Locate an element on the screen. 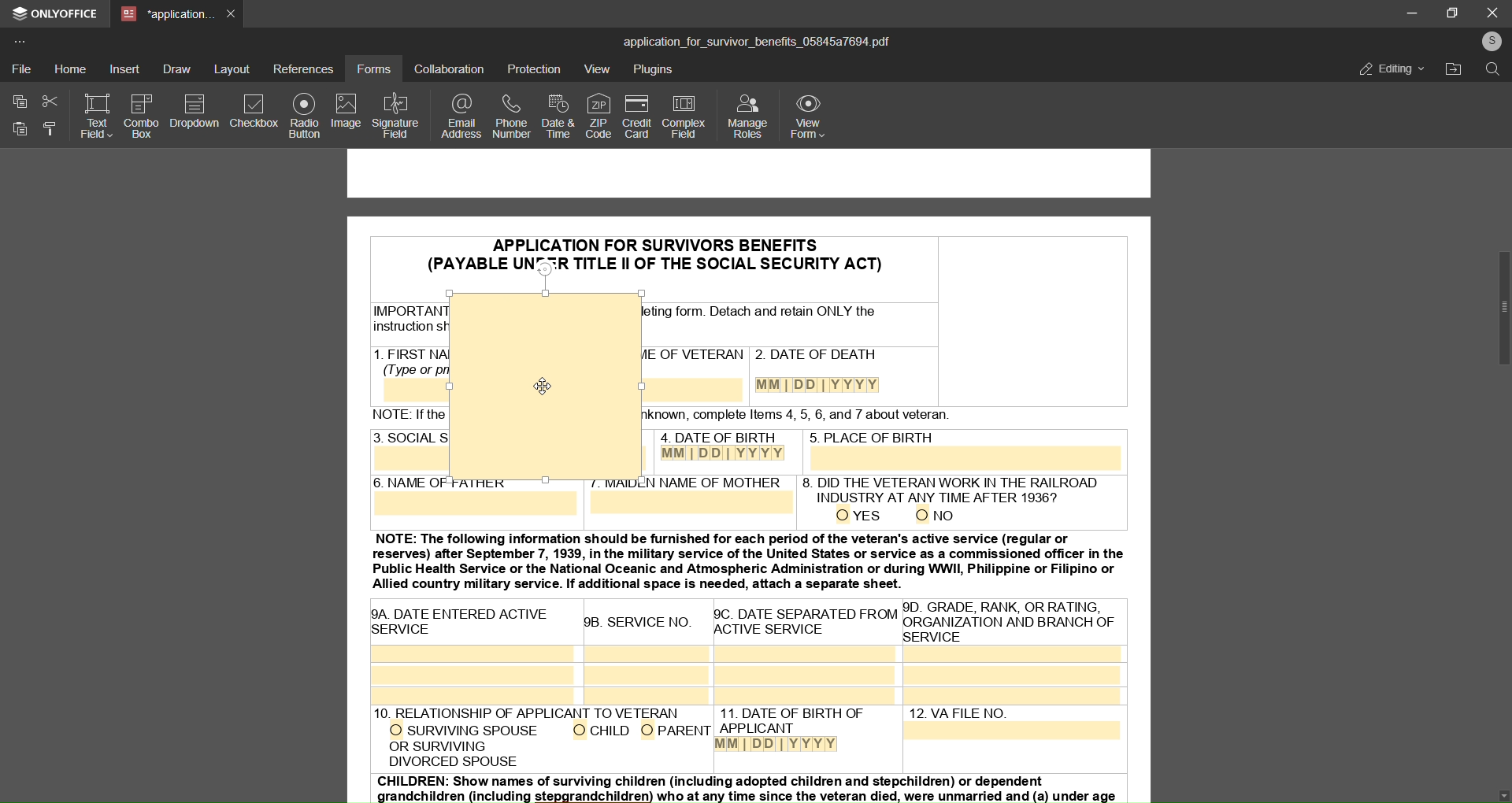 The height and width of the screenshot is (803, 1512). PDF of application for survivors benefits is located at coordinates (902, 326).